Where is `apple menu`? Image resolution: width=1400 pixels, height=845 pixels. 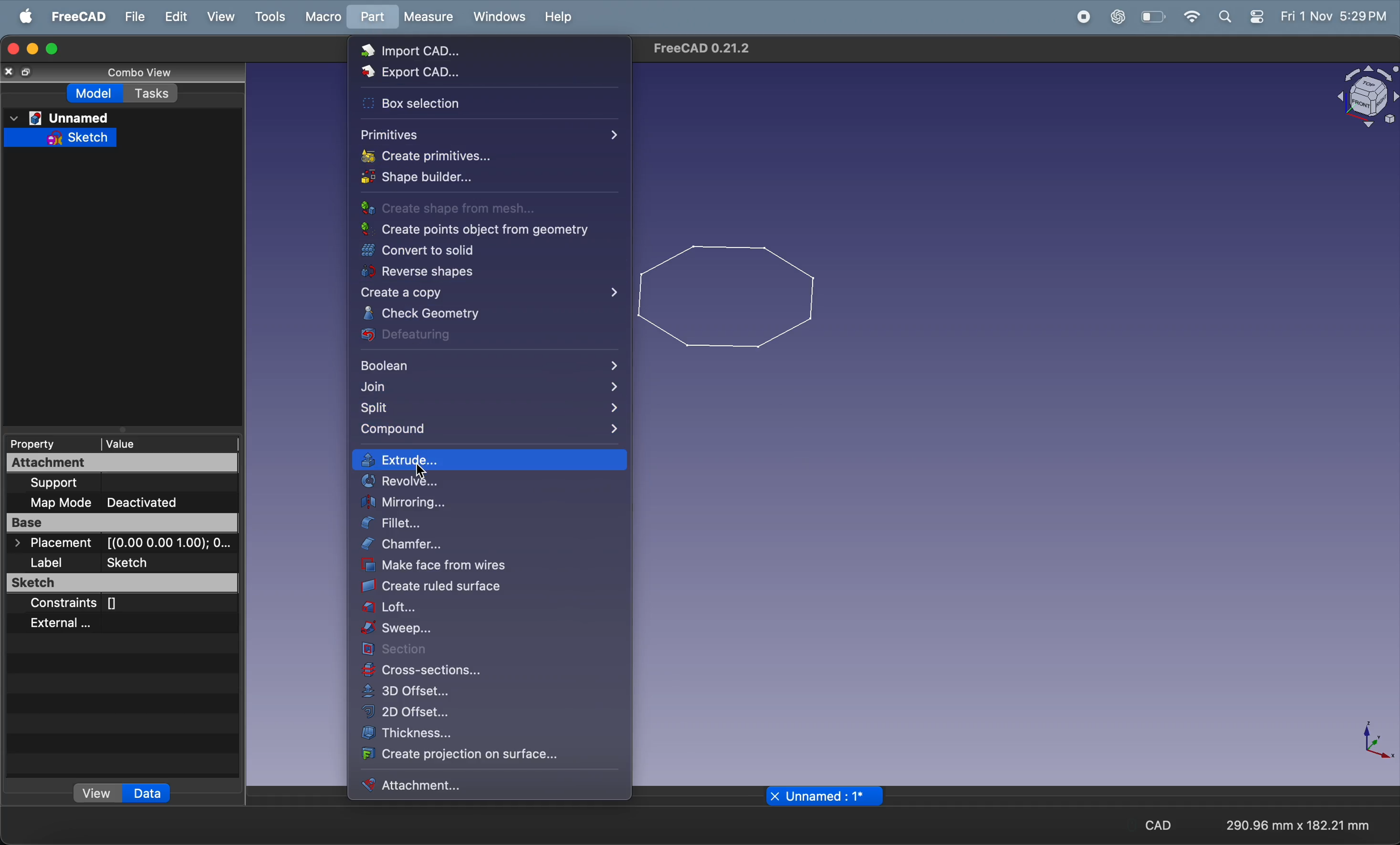 apple menu is located at coordinates (21, 18).